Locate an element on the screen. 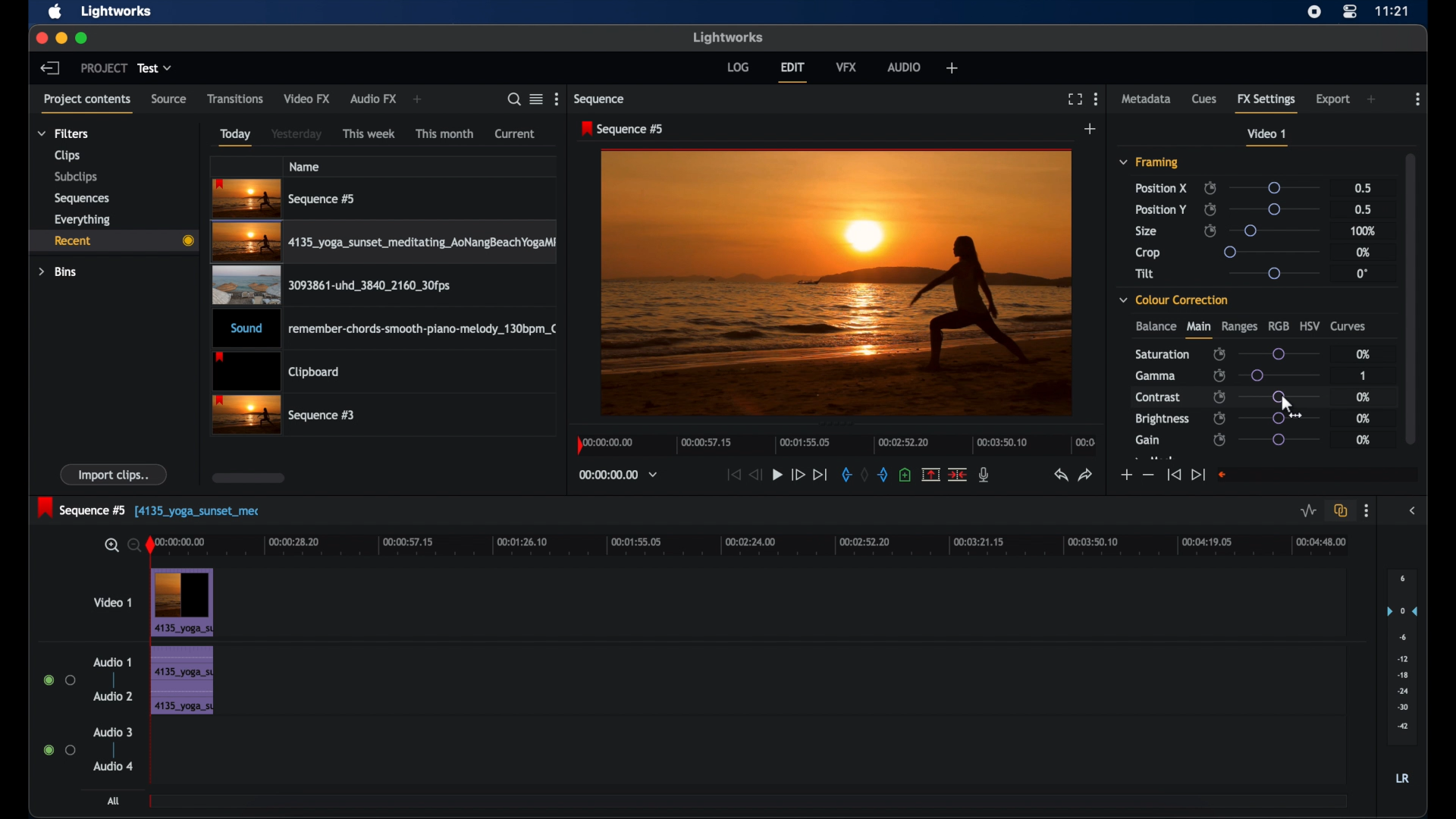  mic is located at coordinates (984, 474).